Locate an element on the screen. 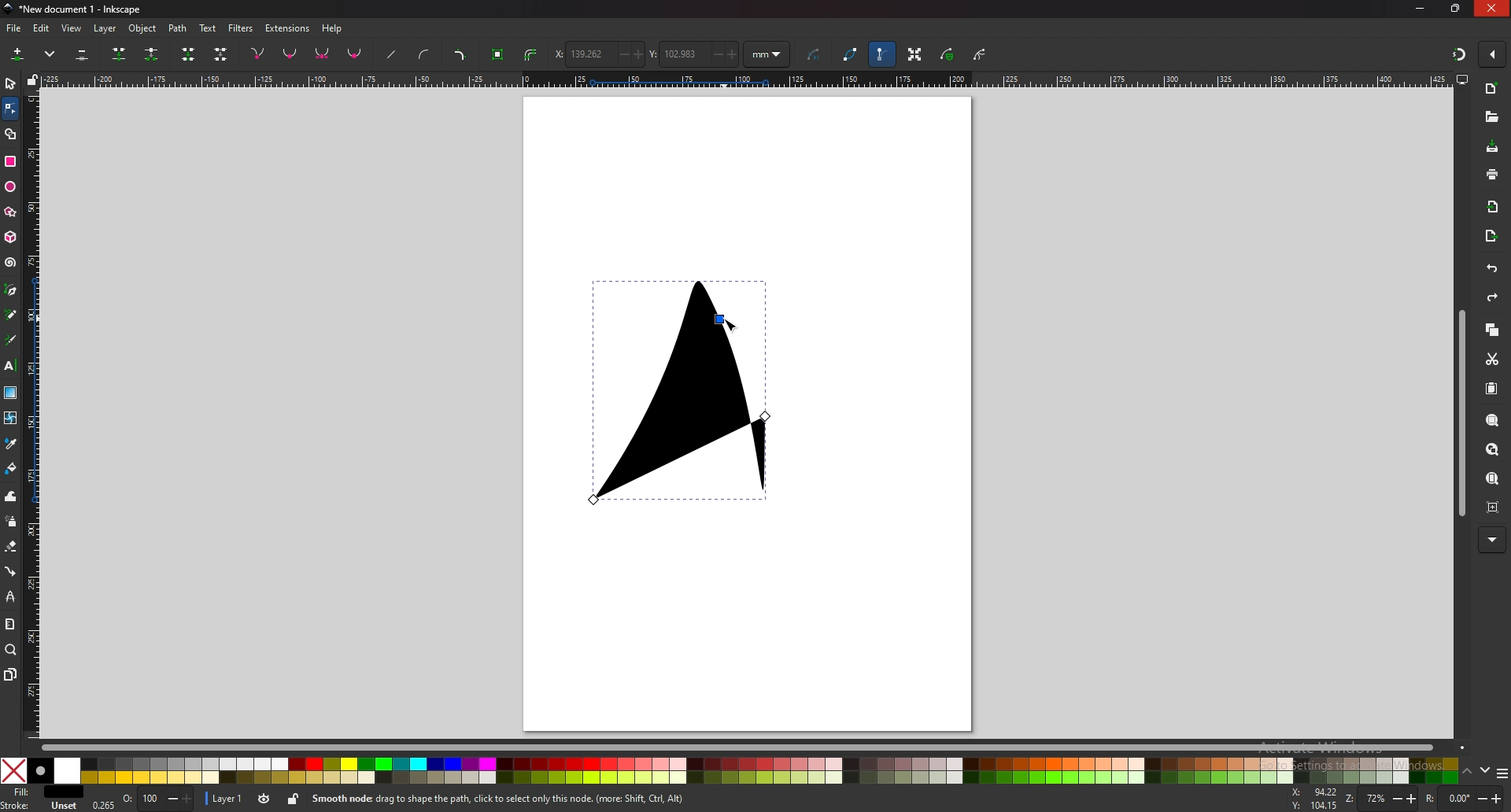 The image size is (1511, 812). star is located at coordinates (12, 213).